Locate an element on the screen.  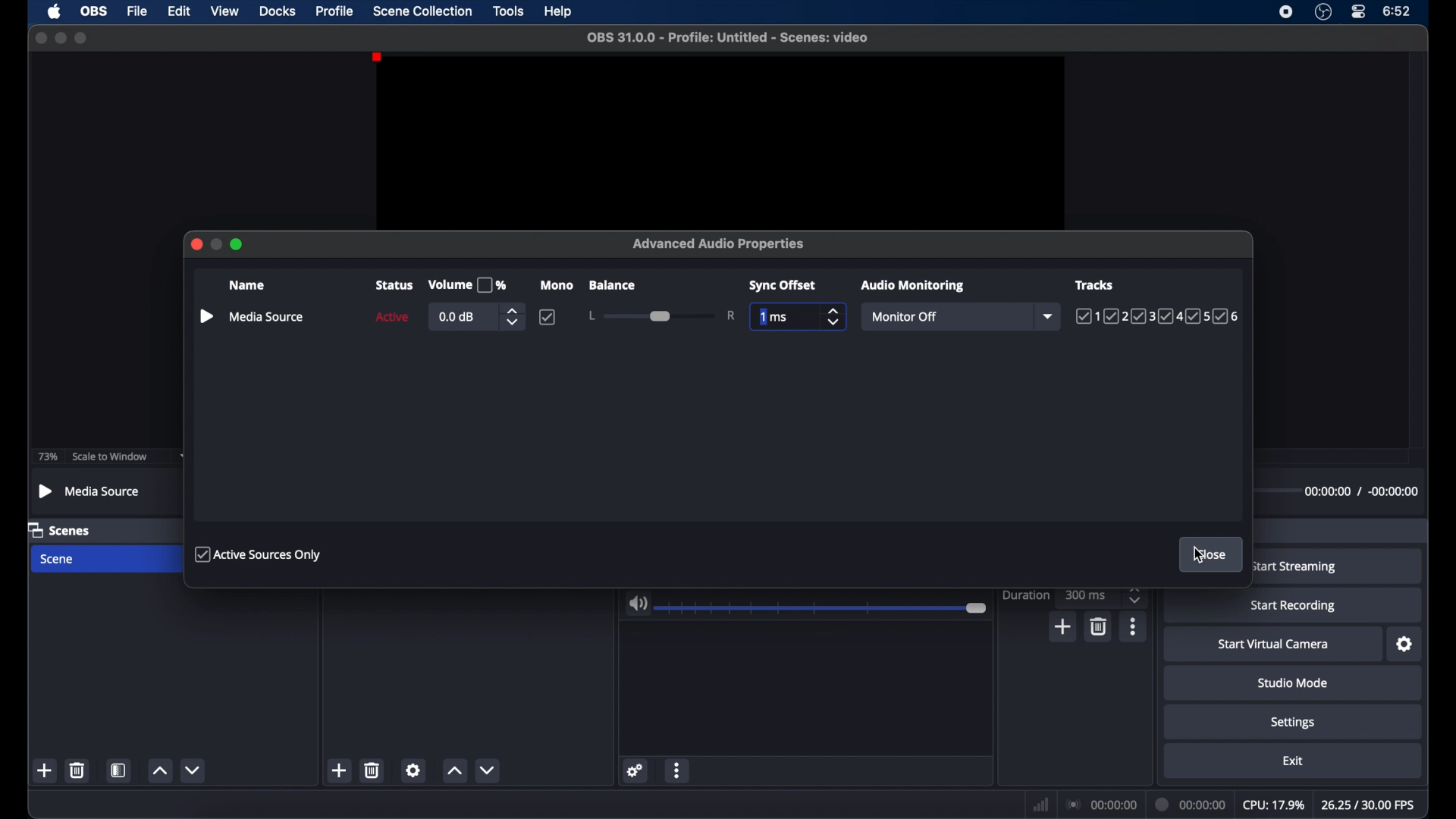
fps is located at coordinates (1367, 805).